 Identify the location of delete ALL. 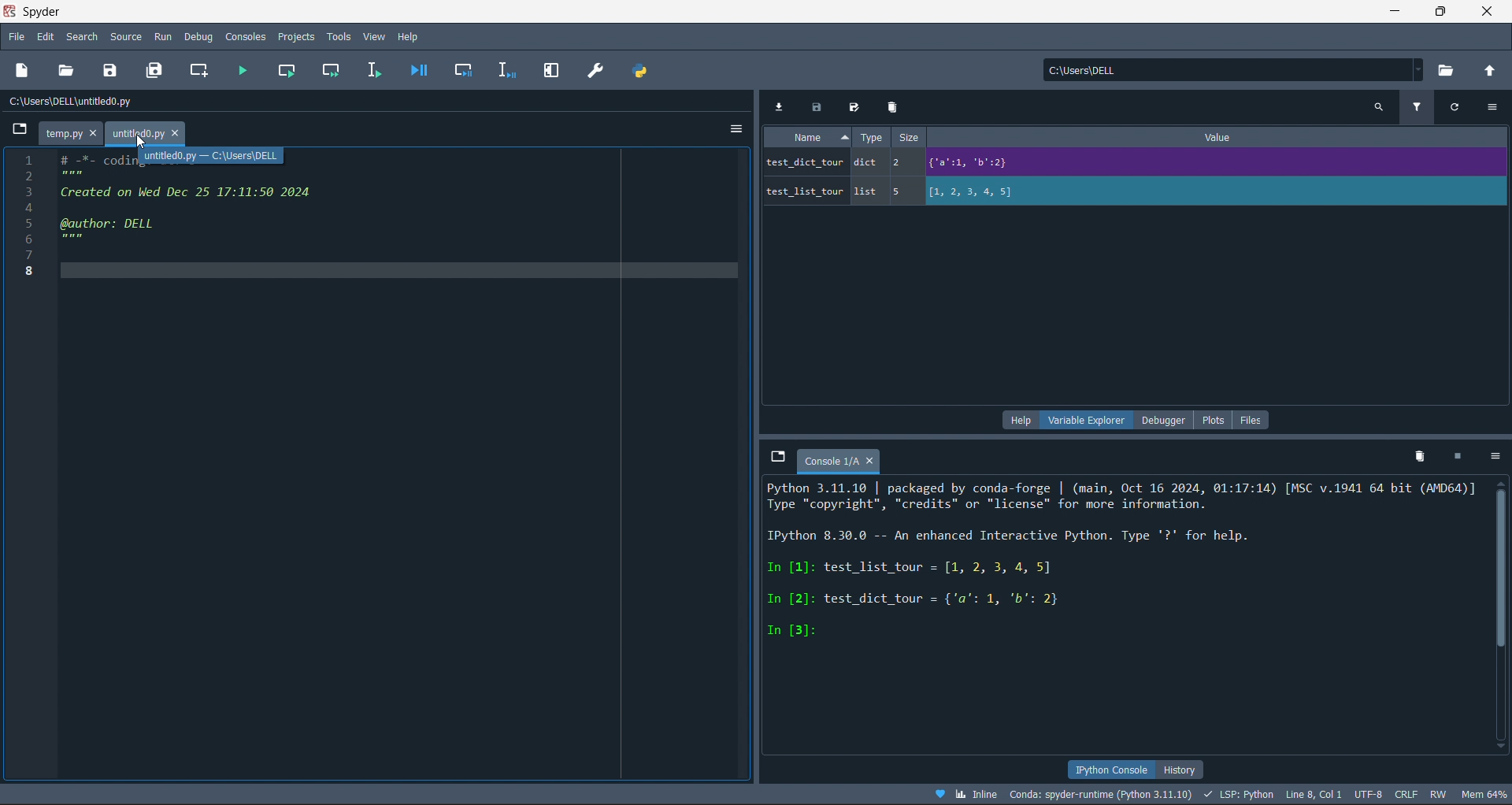
(1425, 457).